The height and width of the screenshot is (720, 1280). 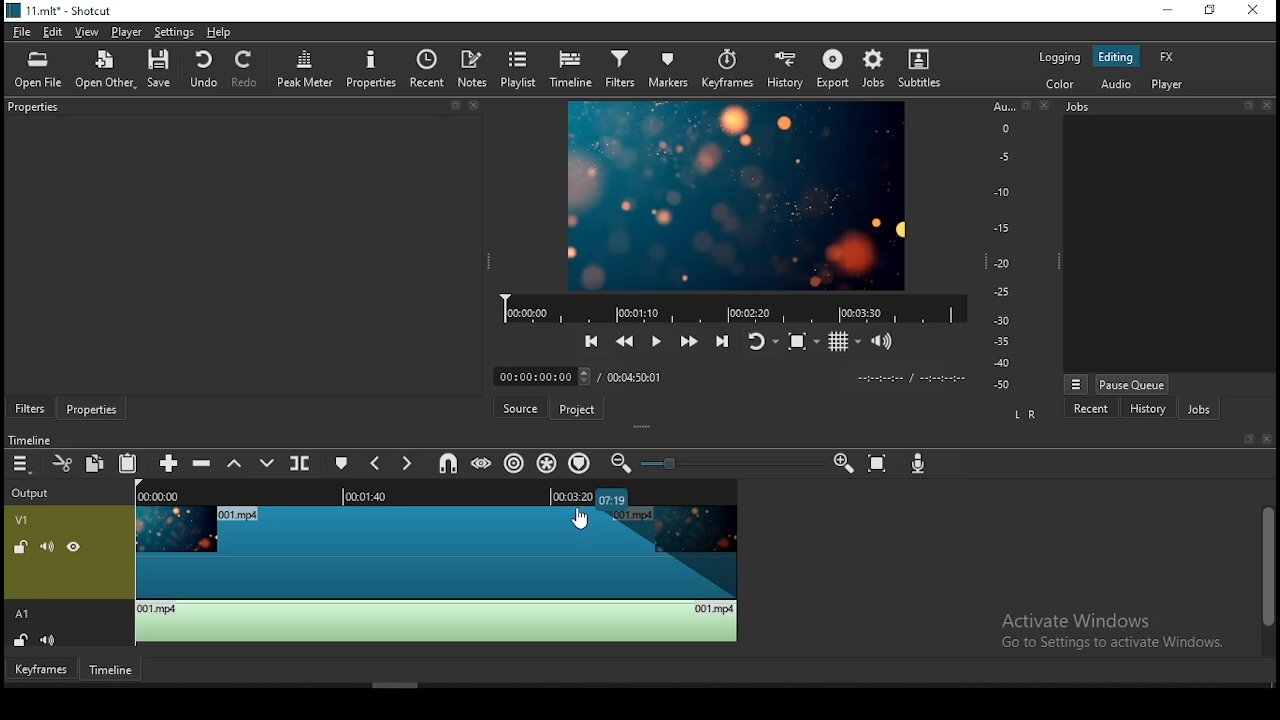 What do you see at coordinates (29, 406) in the screenshot?
I see `filters` at bounding box center [29, 406].